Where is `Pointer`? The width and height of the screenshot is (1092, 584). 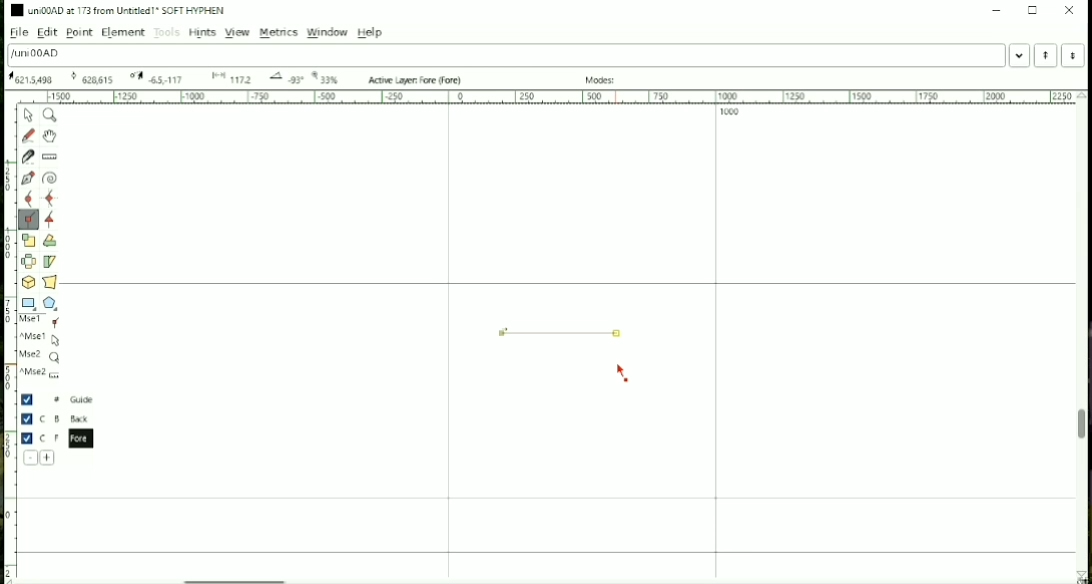
Pointer is located at coordinates (30, 115).